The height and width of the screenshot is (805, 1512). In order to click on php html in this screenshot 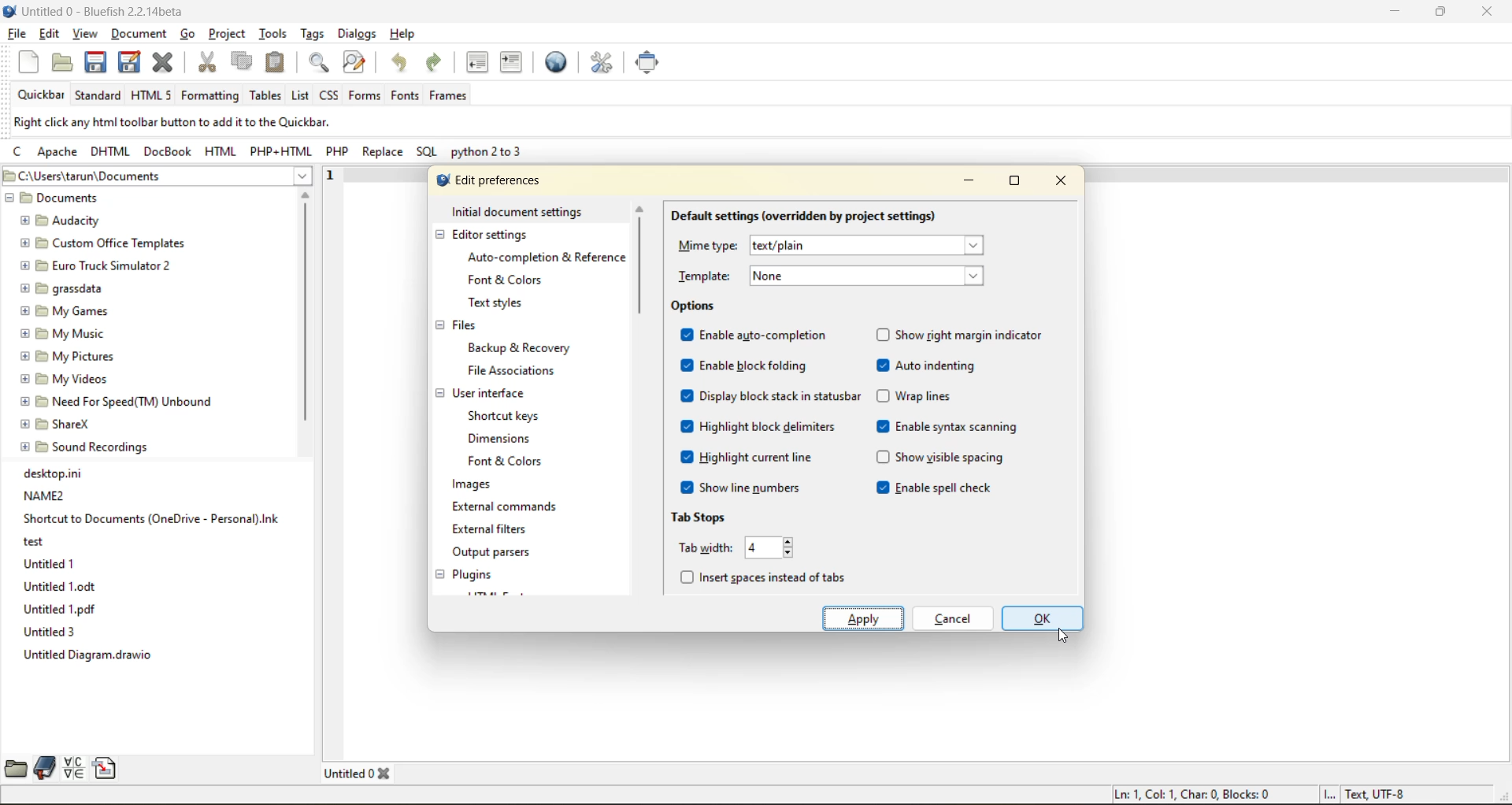, I will do `click(275, 151)`.